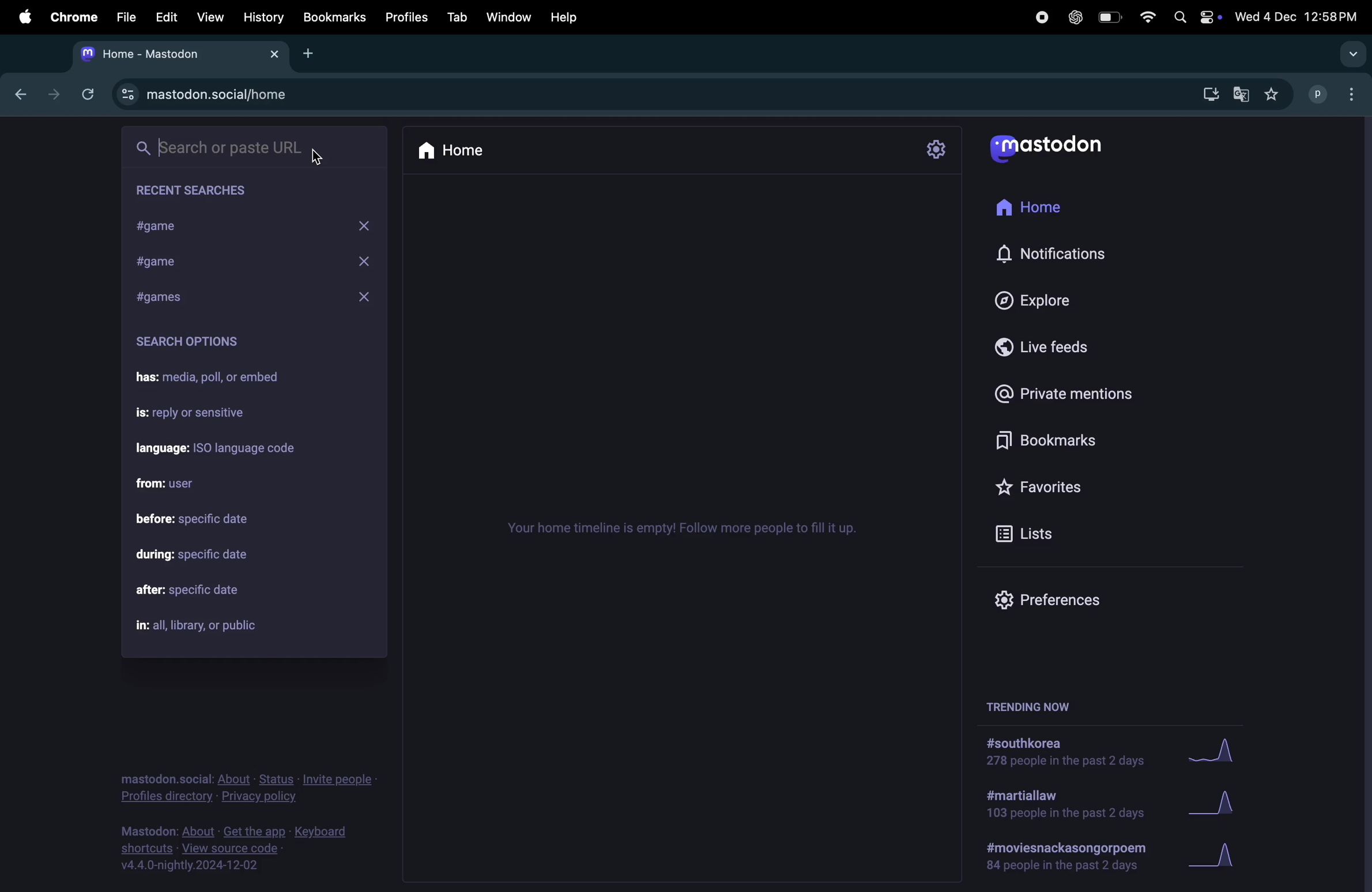 The image size is (1372, 892). Describe the element at coordinates (1051, 301) in the screenshot. I see `Explore` at that location.